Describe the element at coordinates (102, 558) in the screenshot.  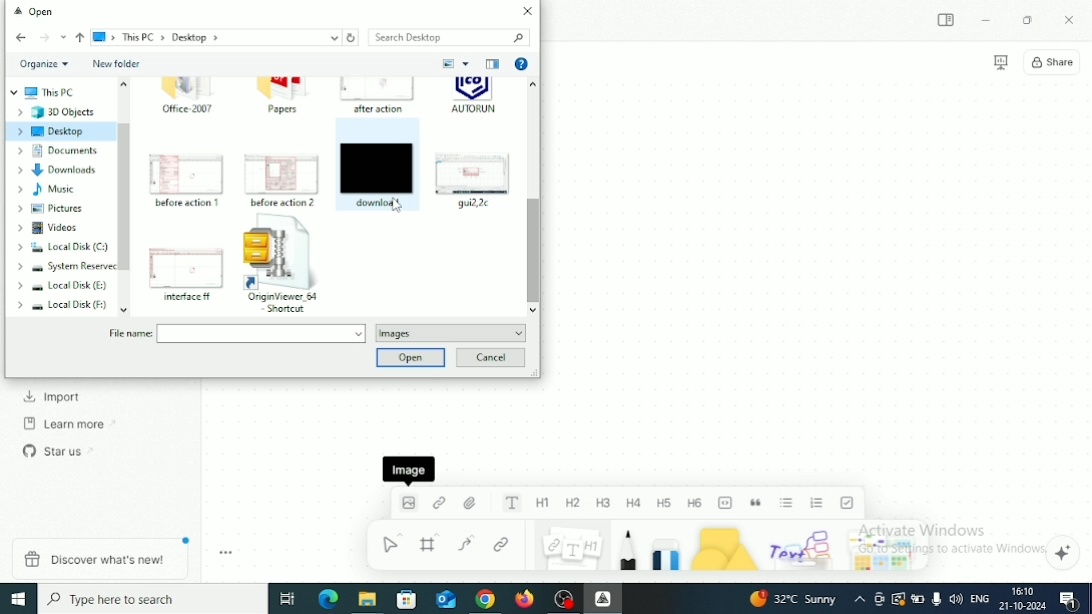
I see `Discover what's new!` at that location.